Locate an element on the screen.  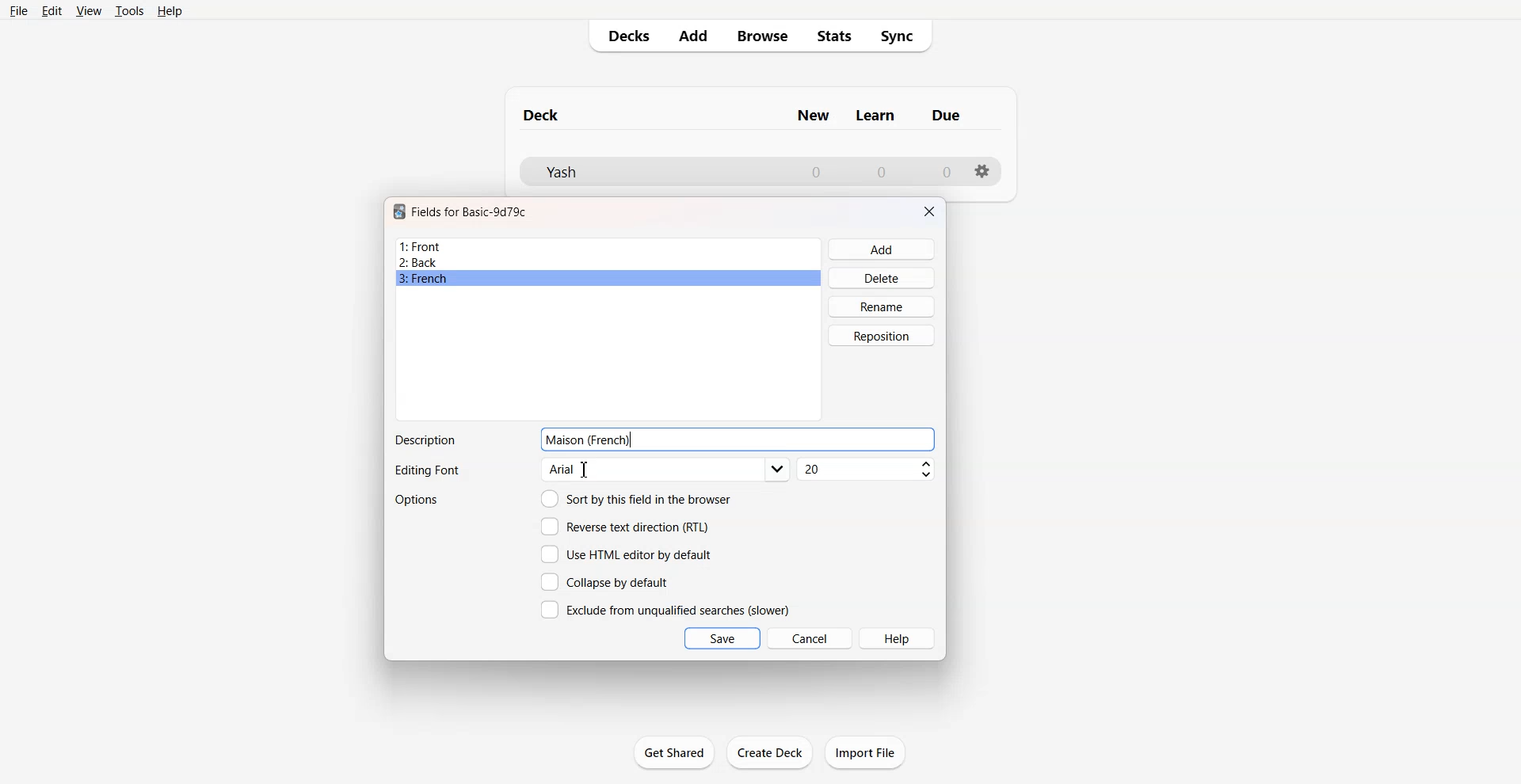
Help is located at coordinates (898, 638).